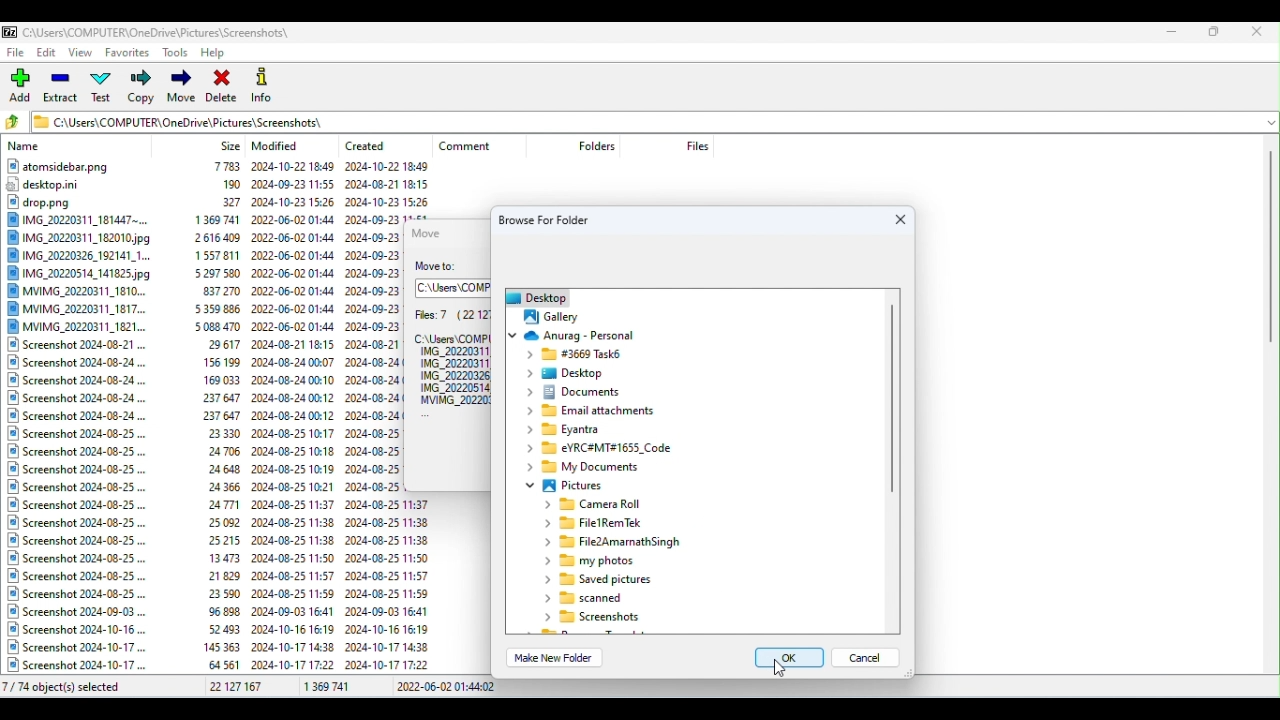  What do you see at coordinates (558, 658) in the screenshot?
I see `Make new folder` at bounding box center [558, 658].